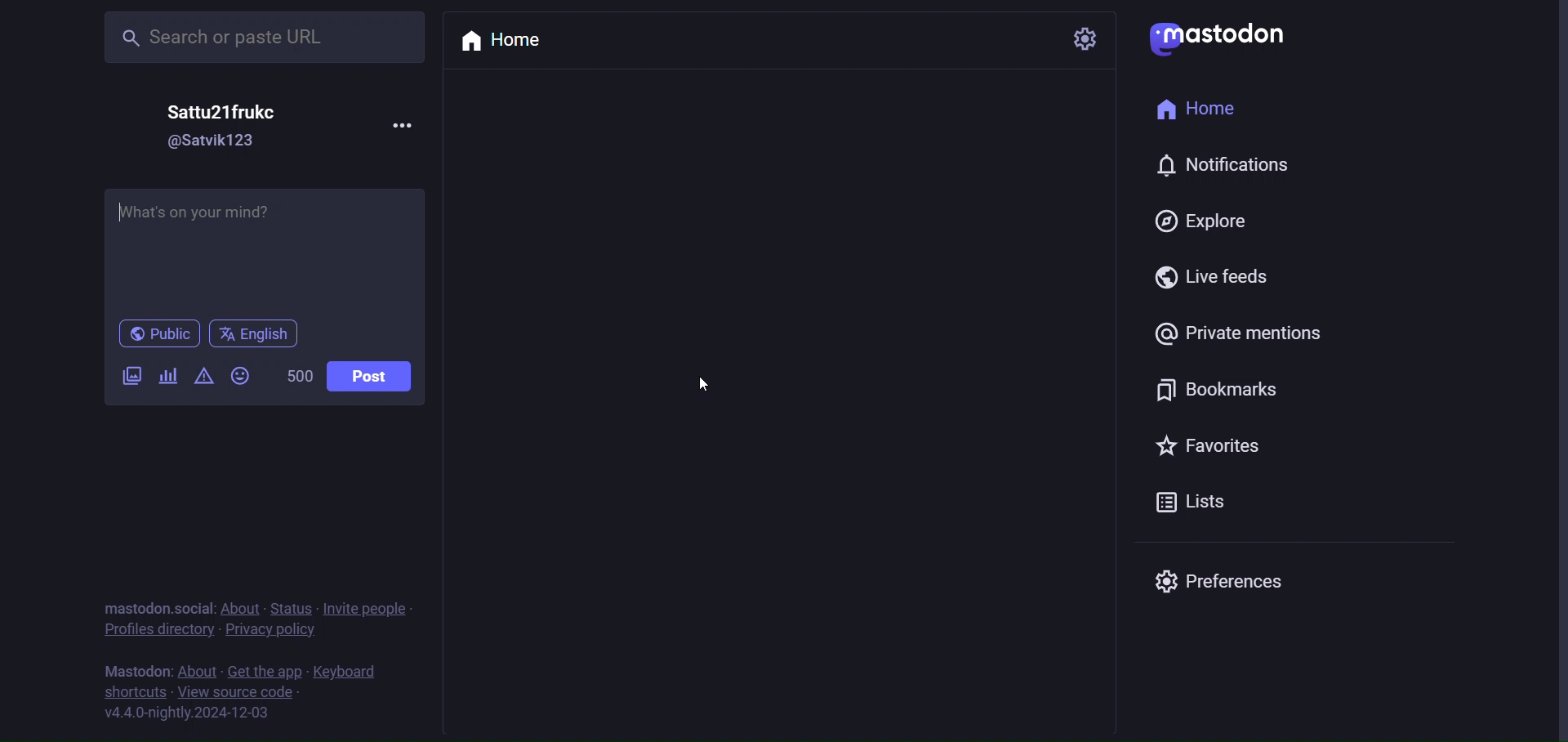  Describe the element at coordinates (265, 247) in the screenshot. I see `write here` at that location.